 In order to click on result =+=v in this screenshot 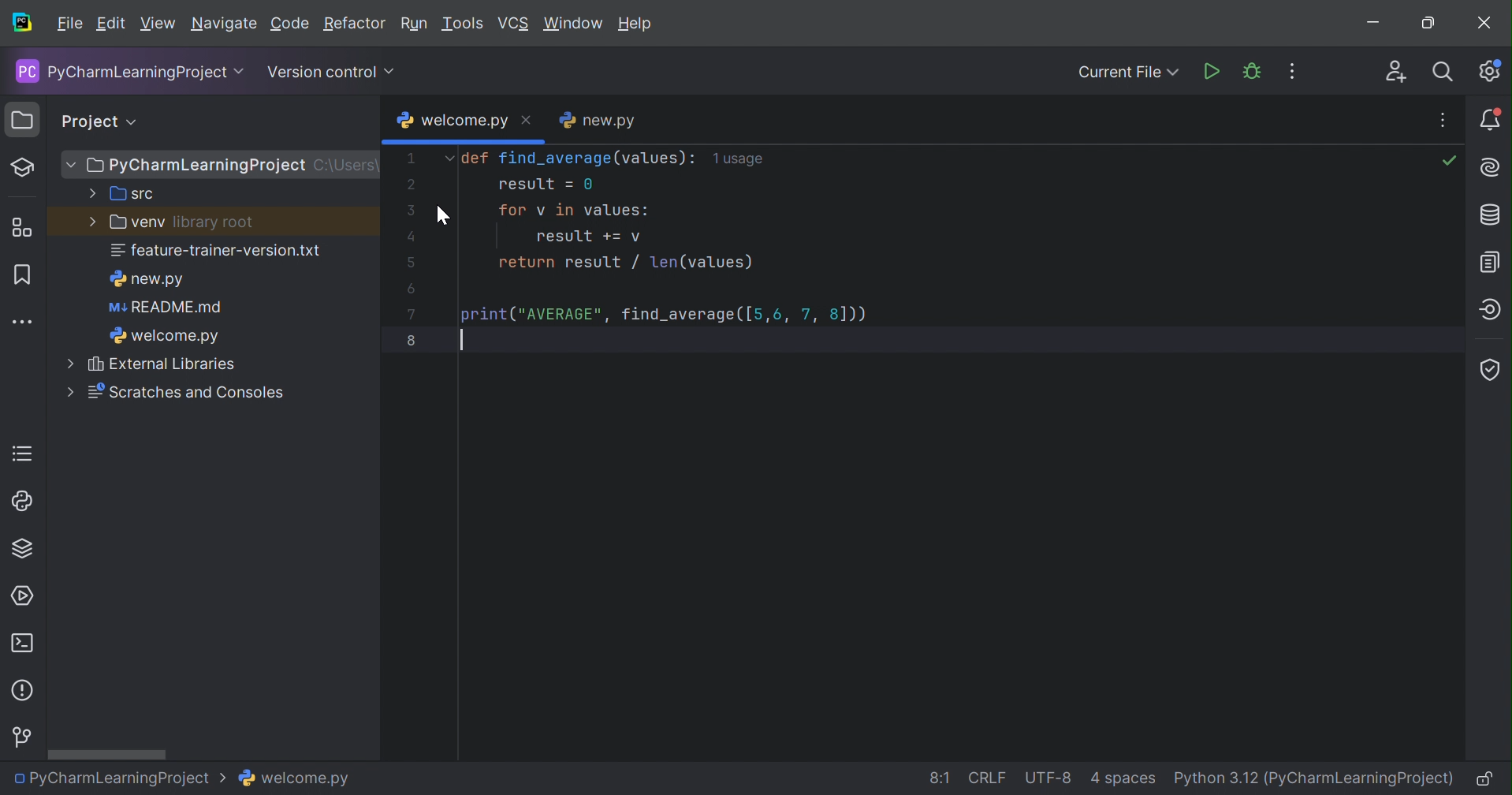, I will do `click(590, 237)`.